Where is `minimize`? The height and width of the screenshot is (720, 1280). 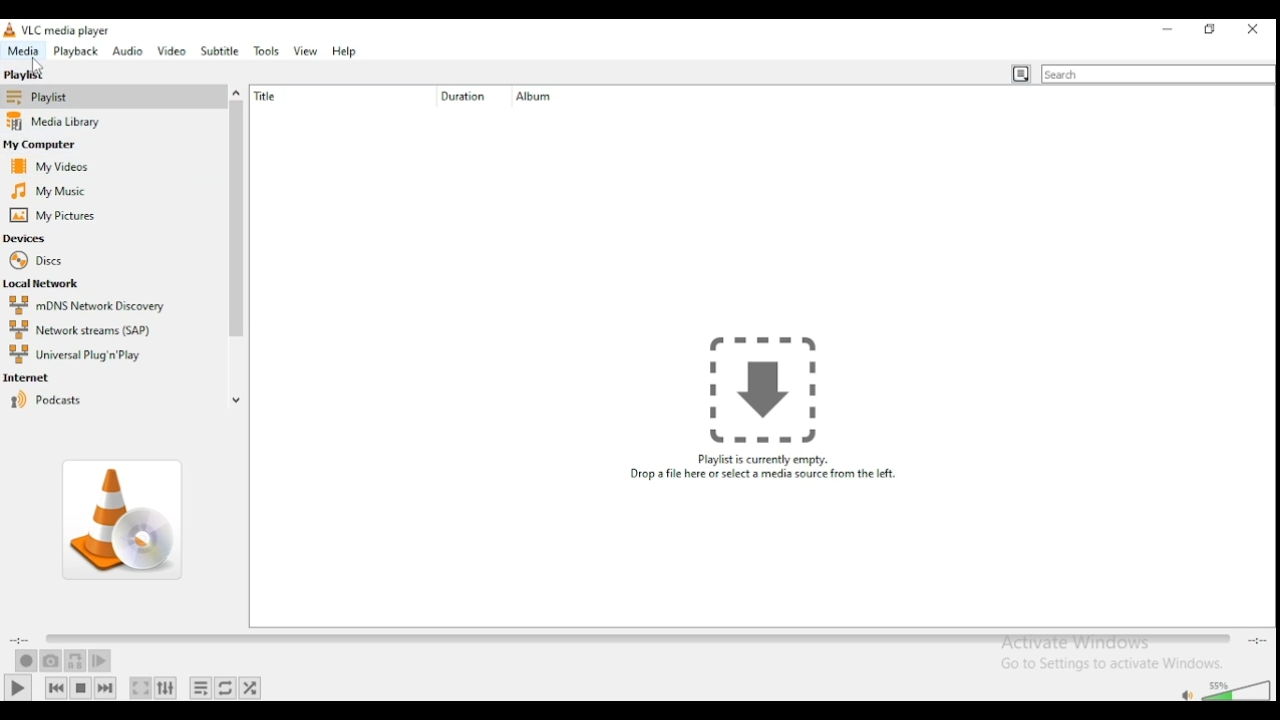 minimize is located at coordinates (1165, 30).